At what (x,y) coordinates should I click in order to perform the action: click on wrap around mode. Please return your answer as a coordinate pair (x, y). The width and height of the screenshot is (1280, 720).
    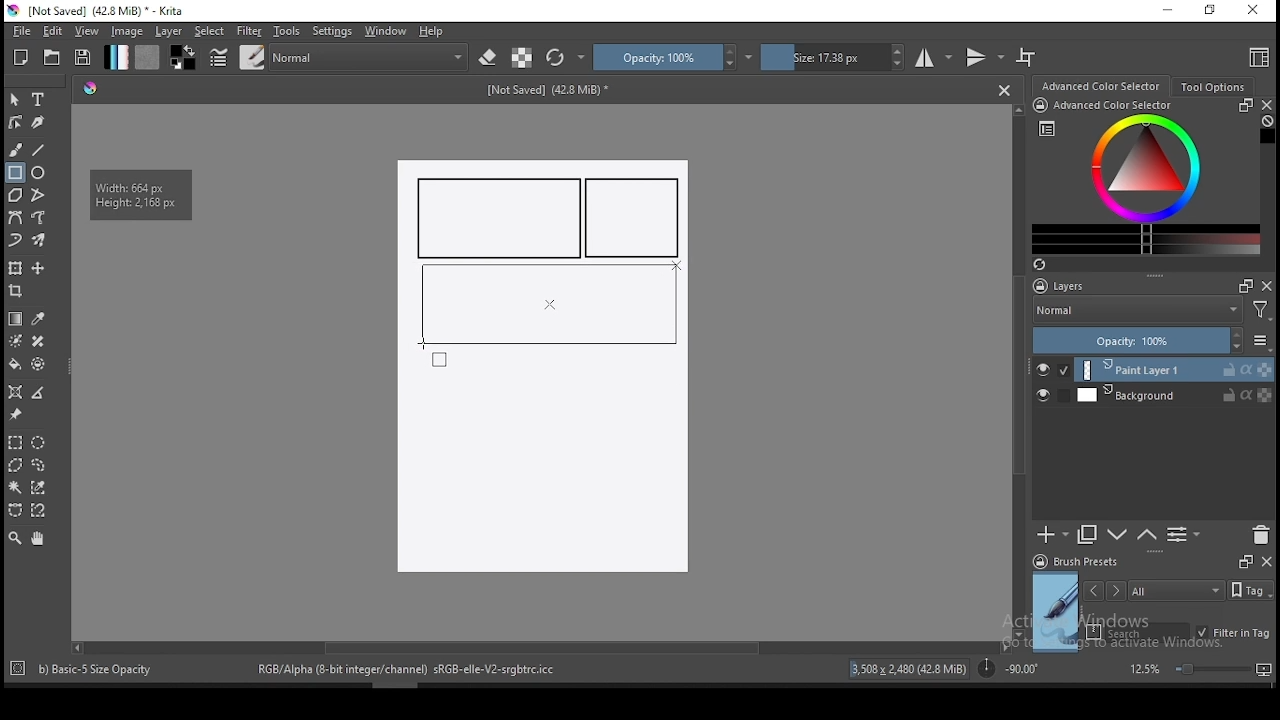
    Looking at the image, I should click on (1027, 57).